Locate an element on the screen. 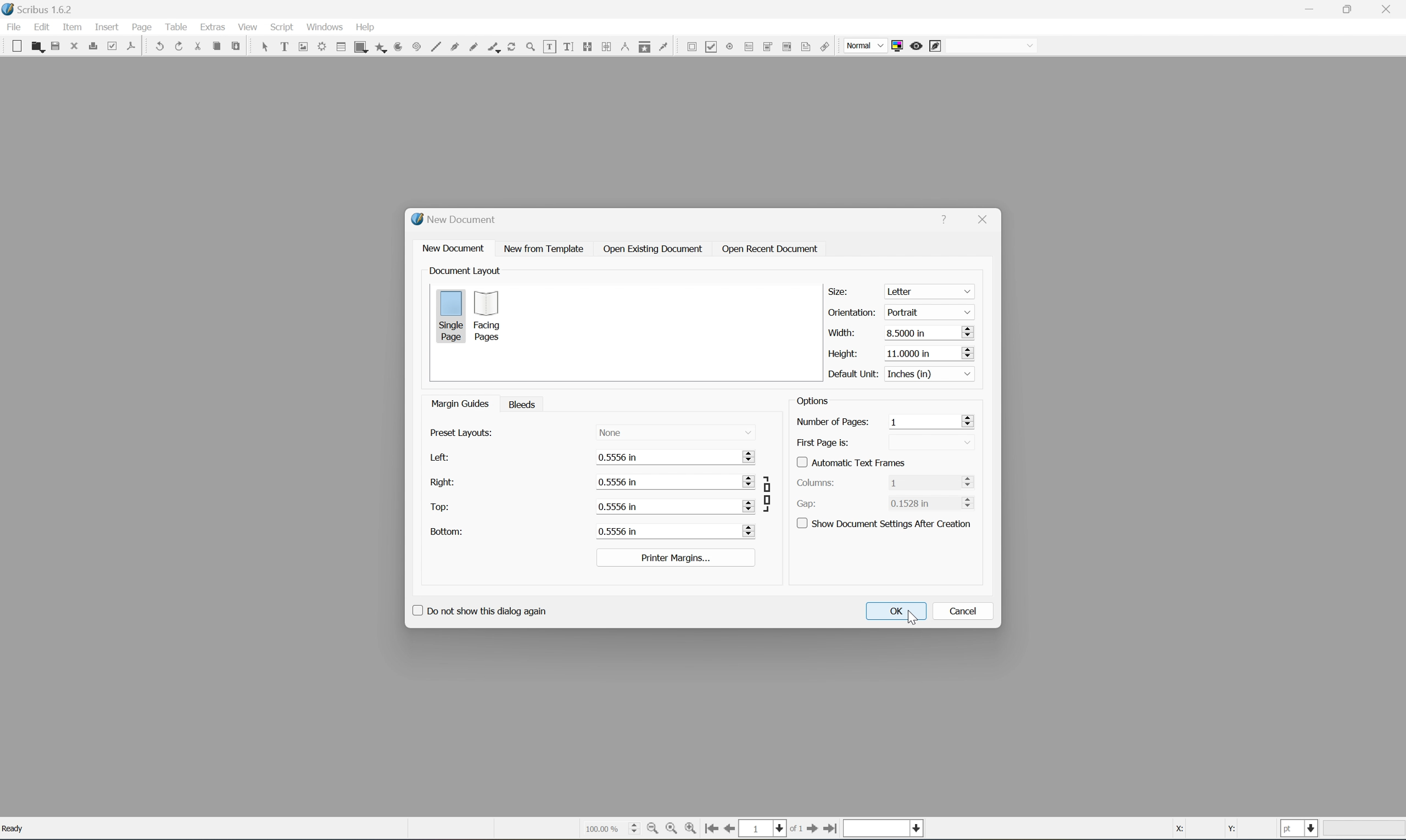 The image size is (1406, 840). select frame is located at coordinates (266, 48).